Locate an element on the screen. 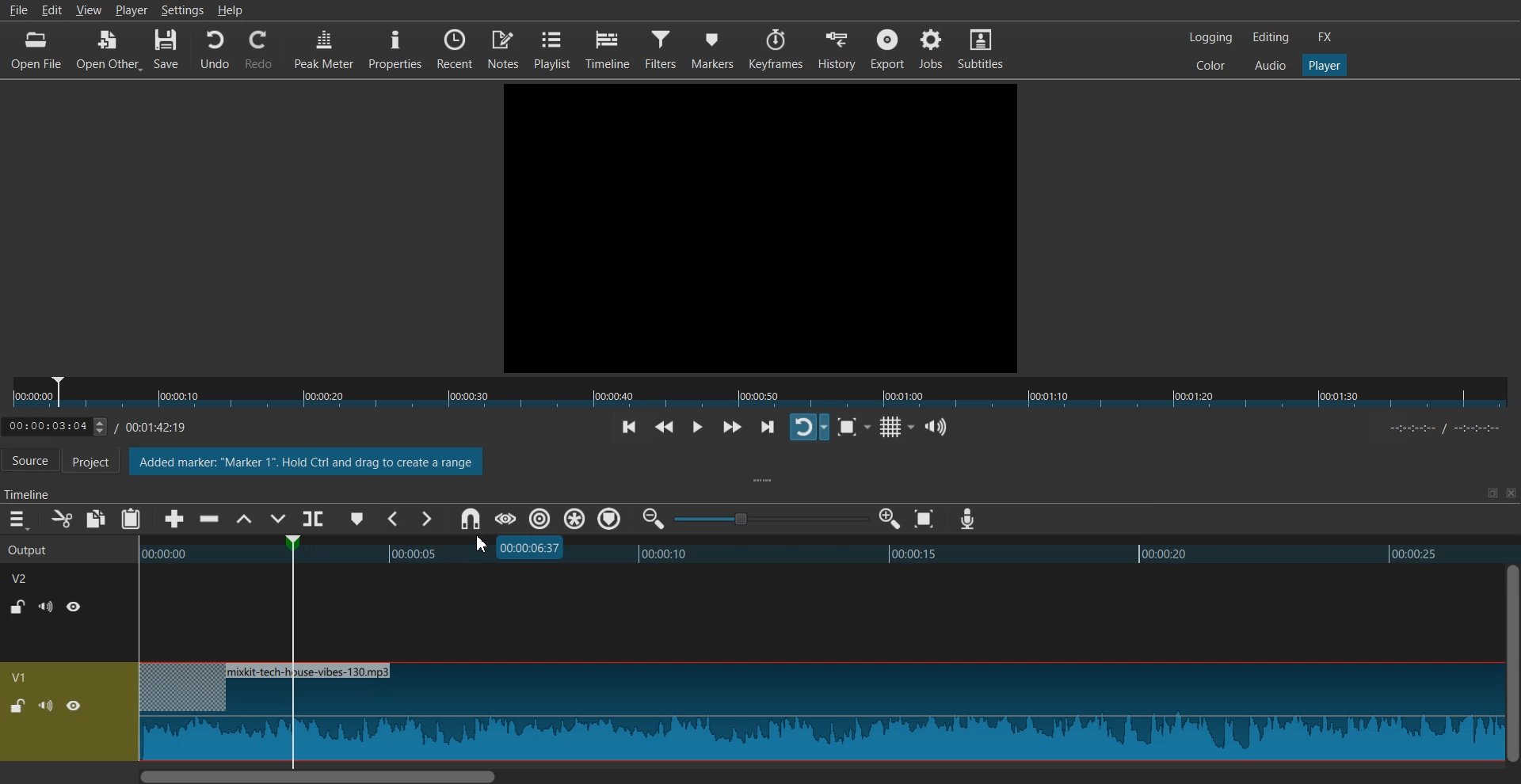 The image size is (1521, 784). Record audio is located at coordinates (966, 519).